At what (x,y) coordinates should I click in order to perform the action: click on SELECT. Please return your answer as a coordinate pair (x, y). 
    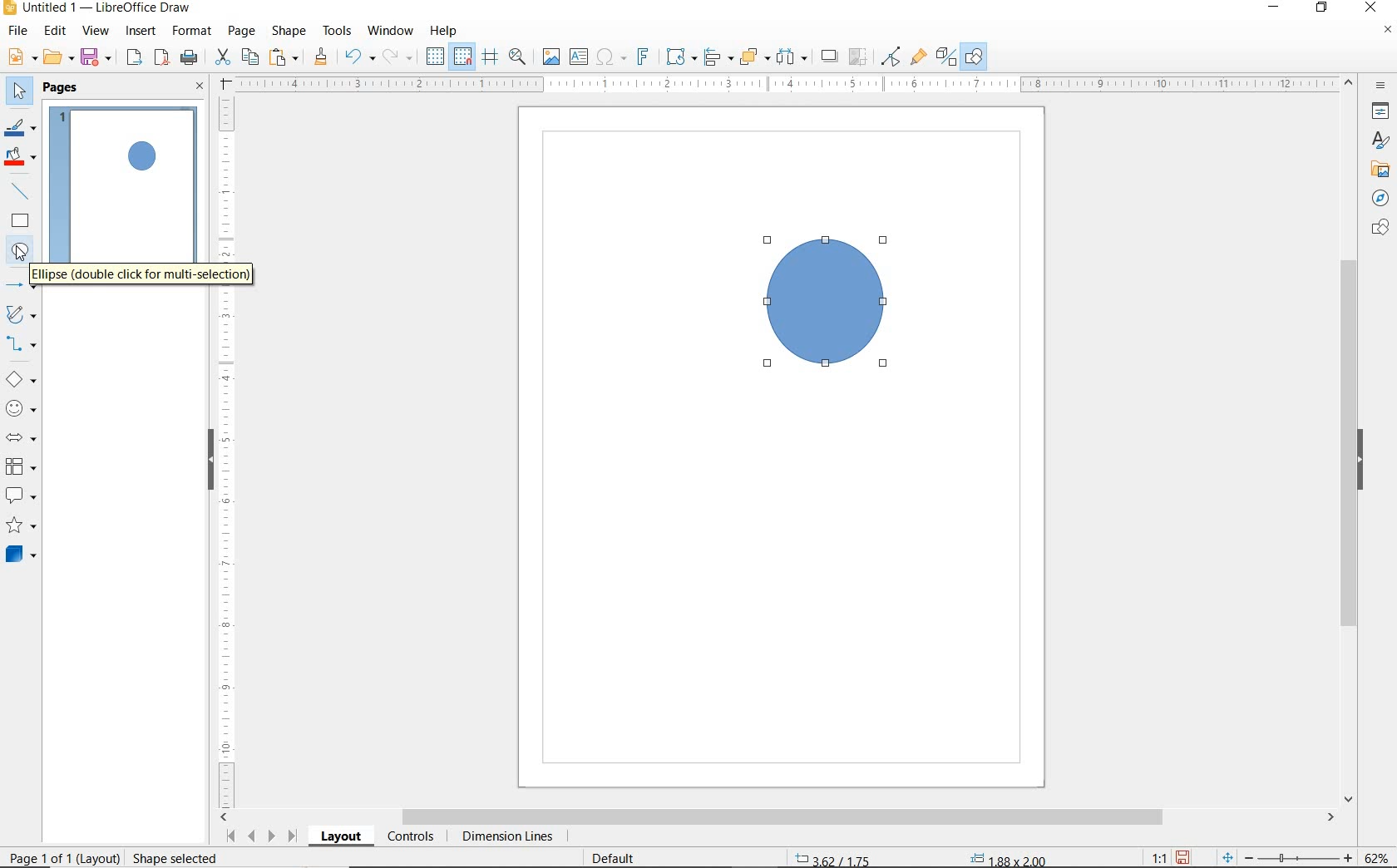
    Looking at the image, I should click on (20, 92).